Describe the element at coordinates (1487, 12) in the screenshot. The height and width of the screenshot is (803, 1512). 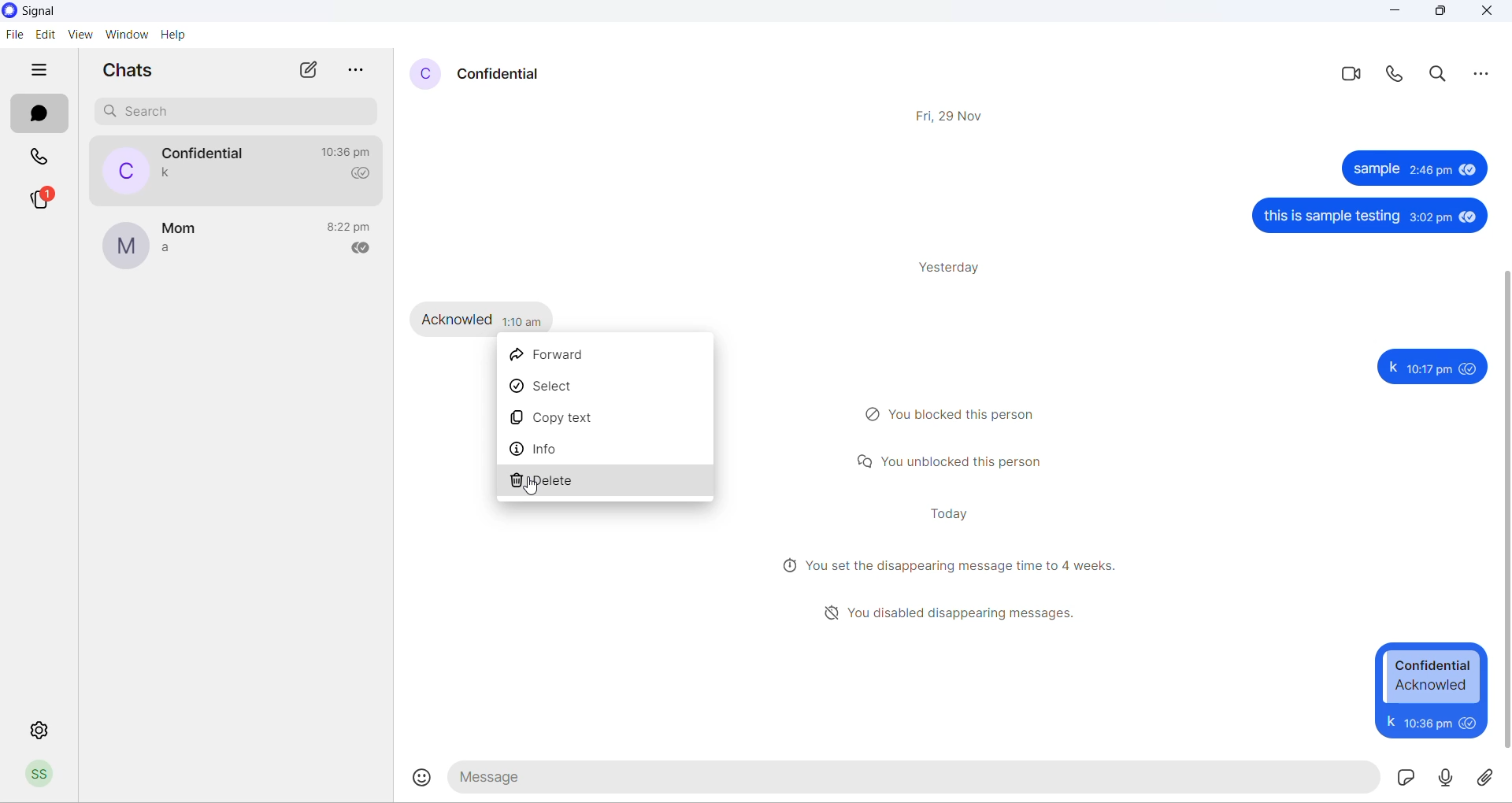
I see `close` at that location.